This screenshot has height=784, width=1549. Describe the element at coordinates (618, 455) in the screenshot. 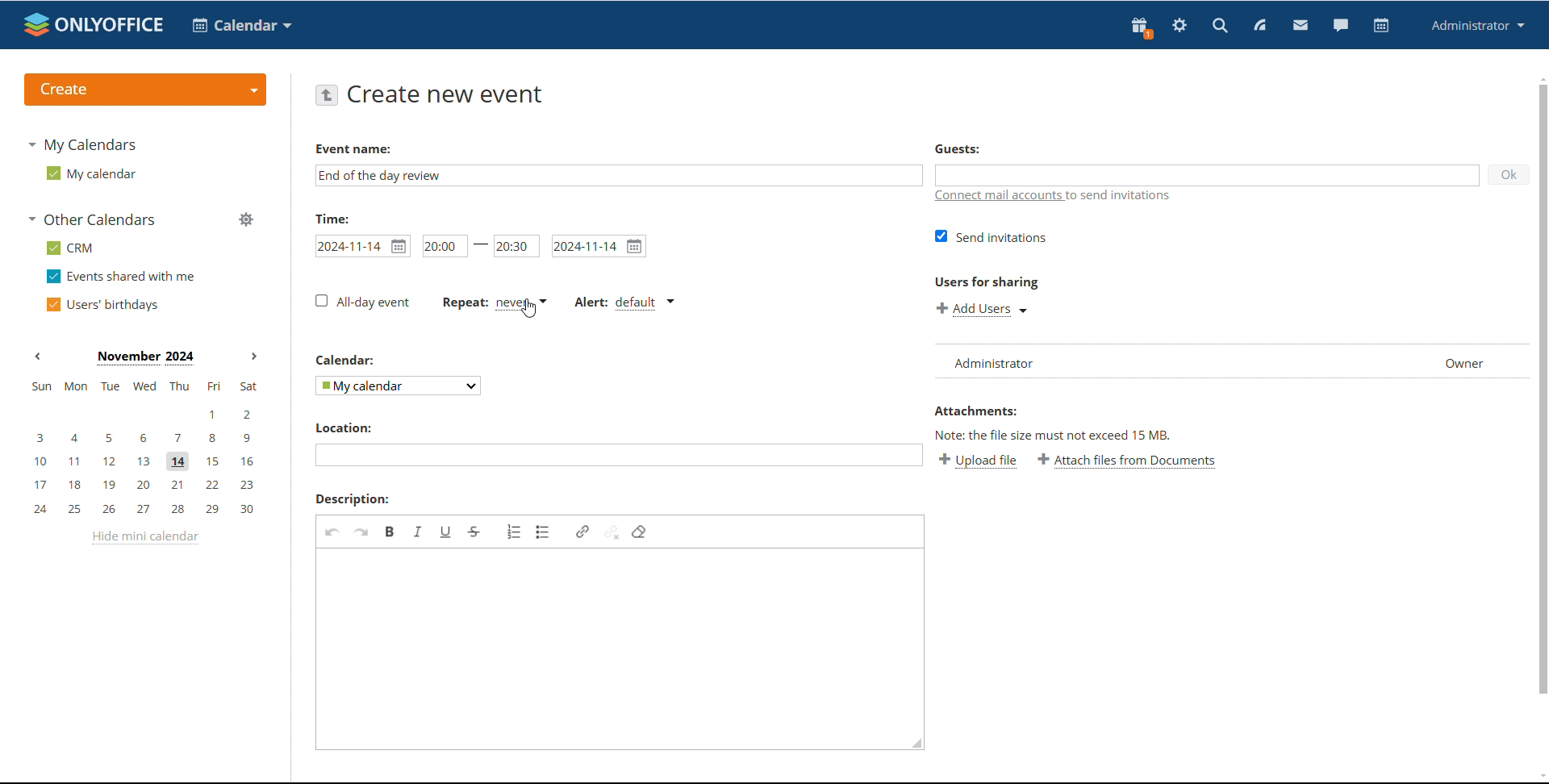

I see `add location` at that location.